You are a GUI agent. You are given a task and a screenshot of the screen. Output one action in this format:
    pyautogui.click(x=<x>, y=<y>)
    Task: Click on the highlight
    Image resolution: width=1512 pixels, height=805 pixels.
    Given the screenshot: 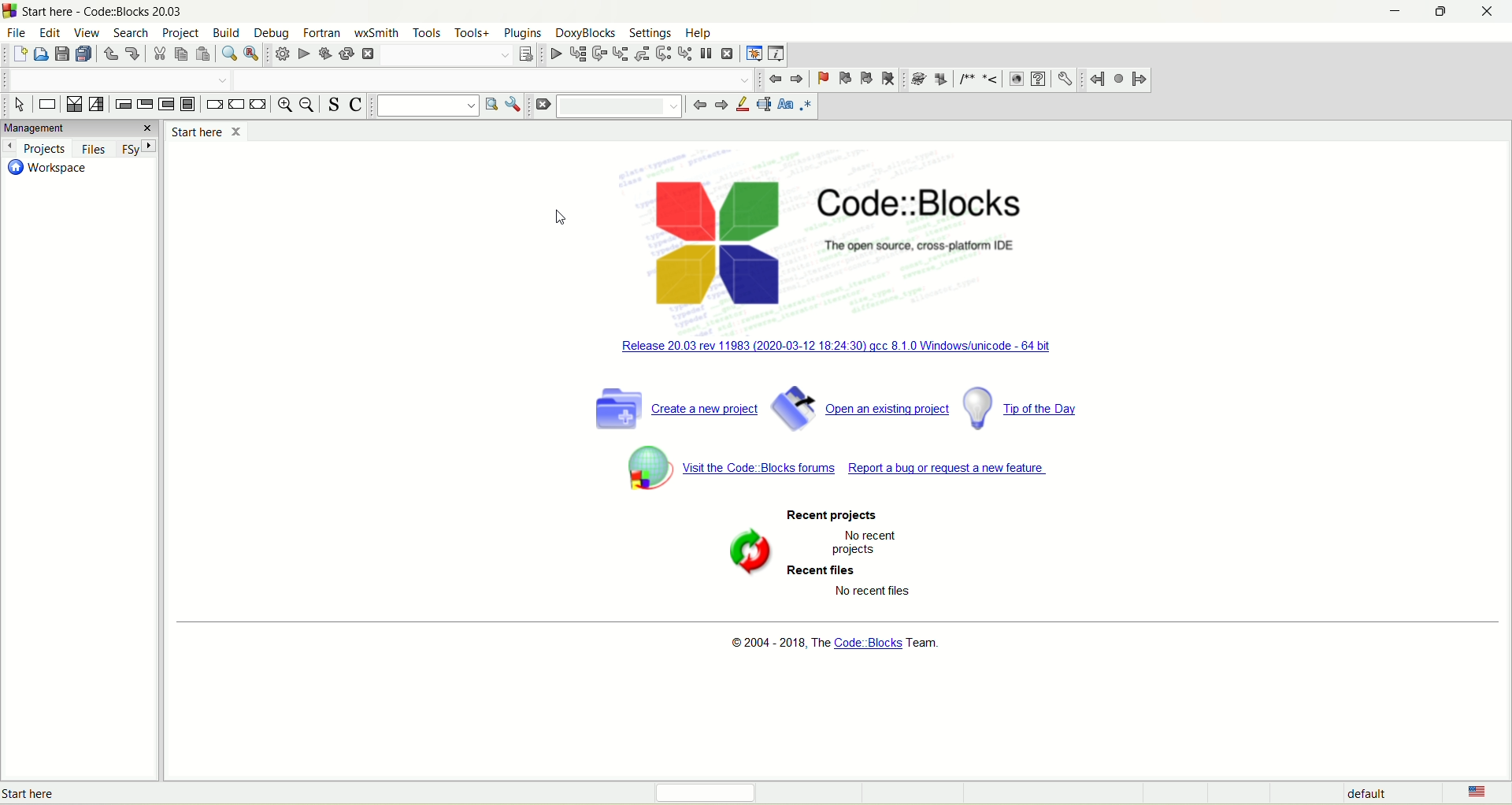 What is the action you would take?
    pyautogui.click(x=743, y=106)
    